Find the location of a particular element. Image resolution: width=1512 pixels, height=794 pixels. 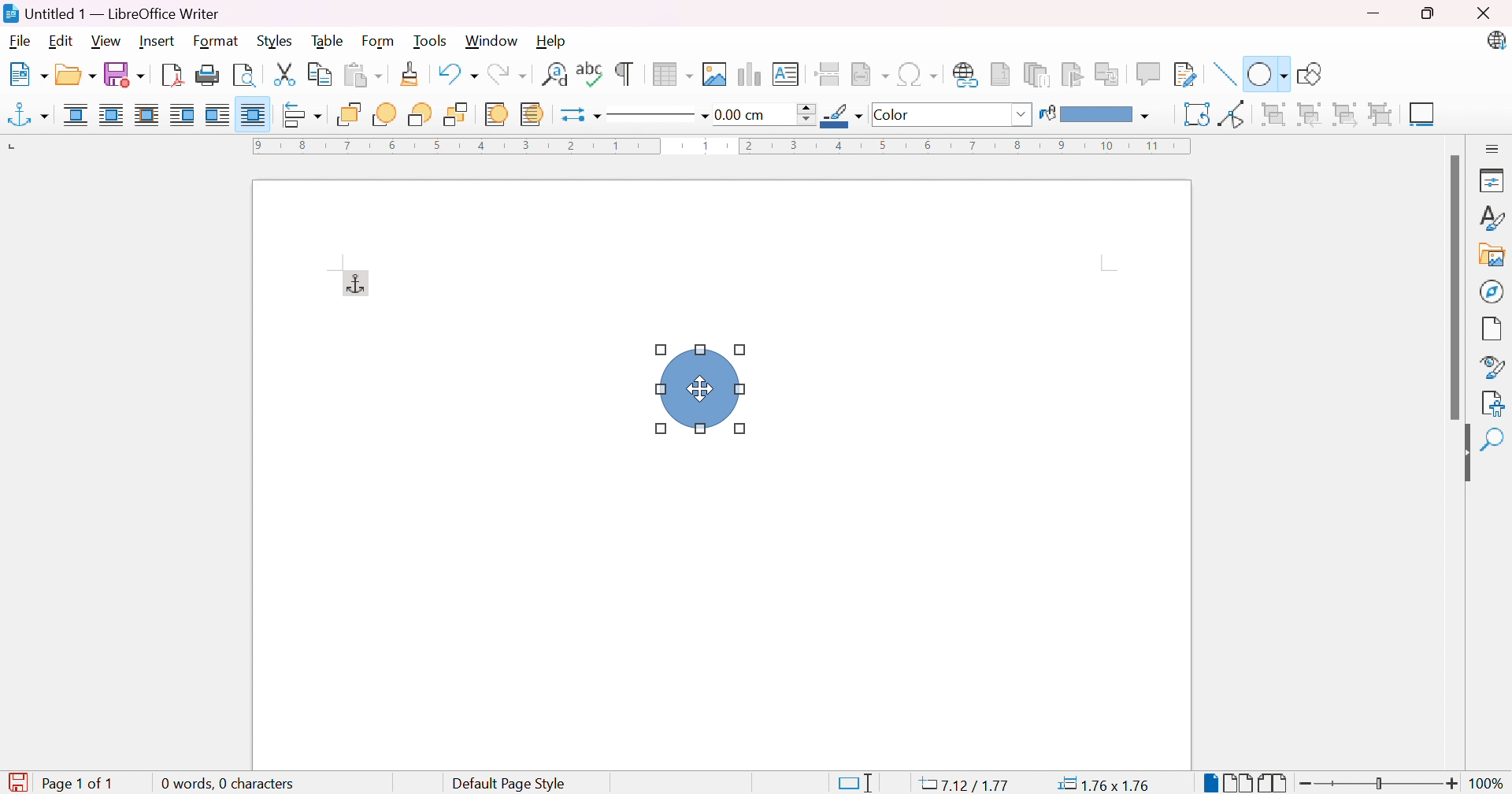

Select anchor for object is located at coordinates (355, 282).